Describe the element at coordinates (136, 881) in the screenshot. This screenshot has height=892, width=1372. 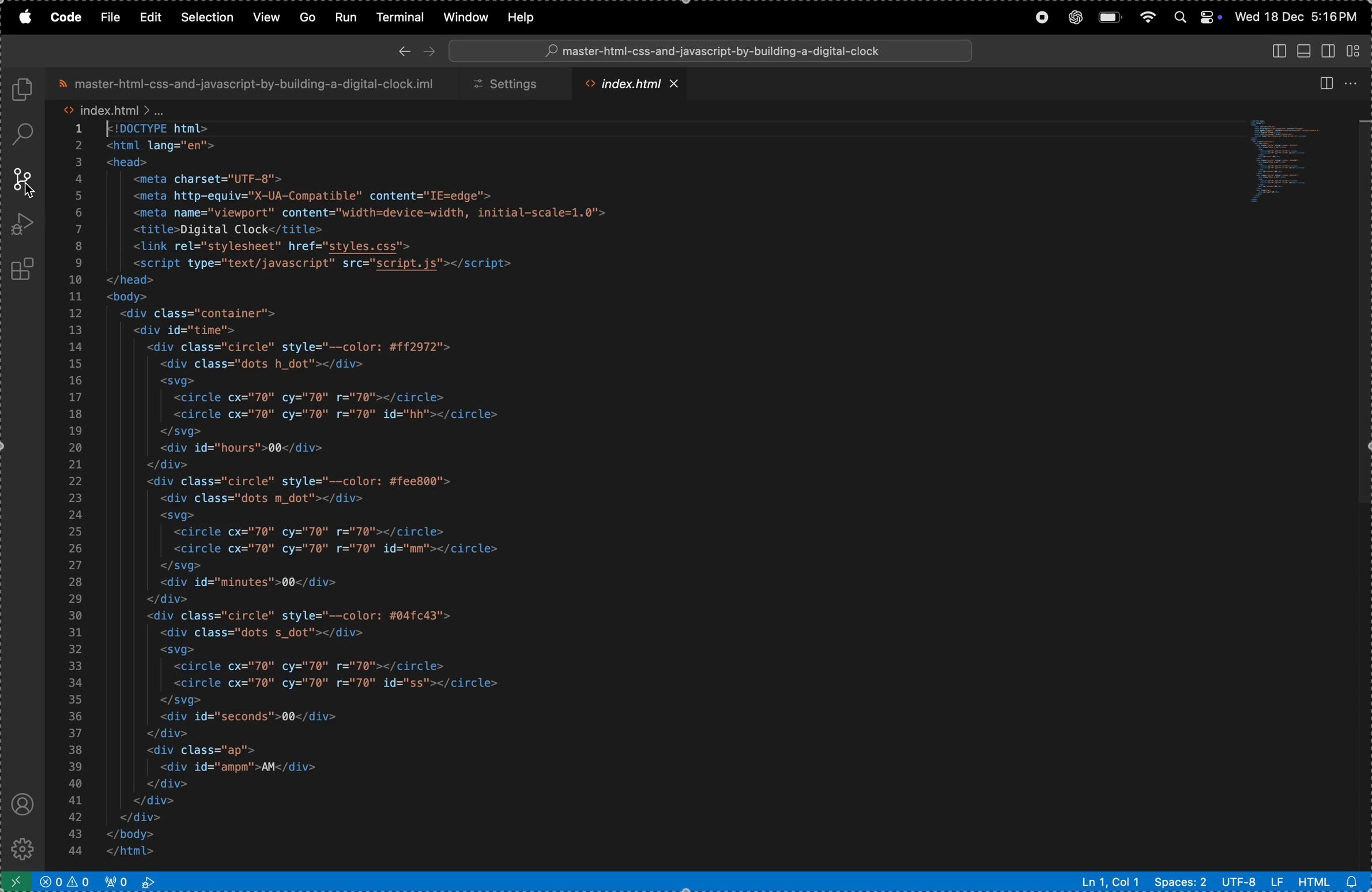
I see `view port ` at that location.